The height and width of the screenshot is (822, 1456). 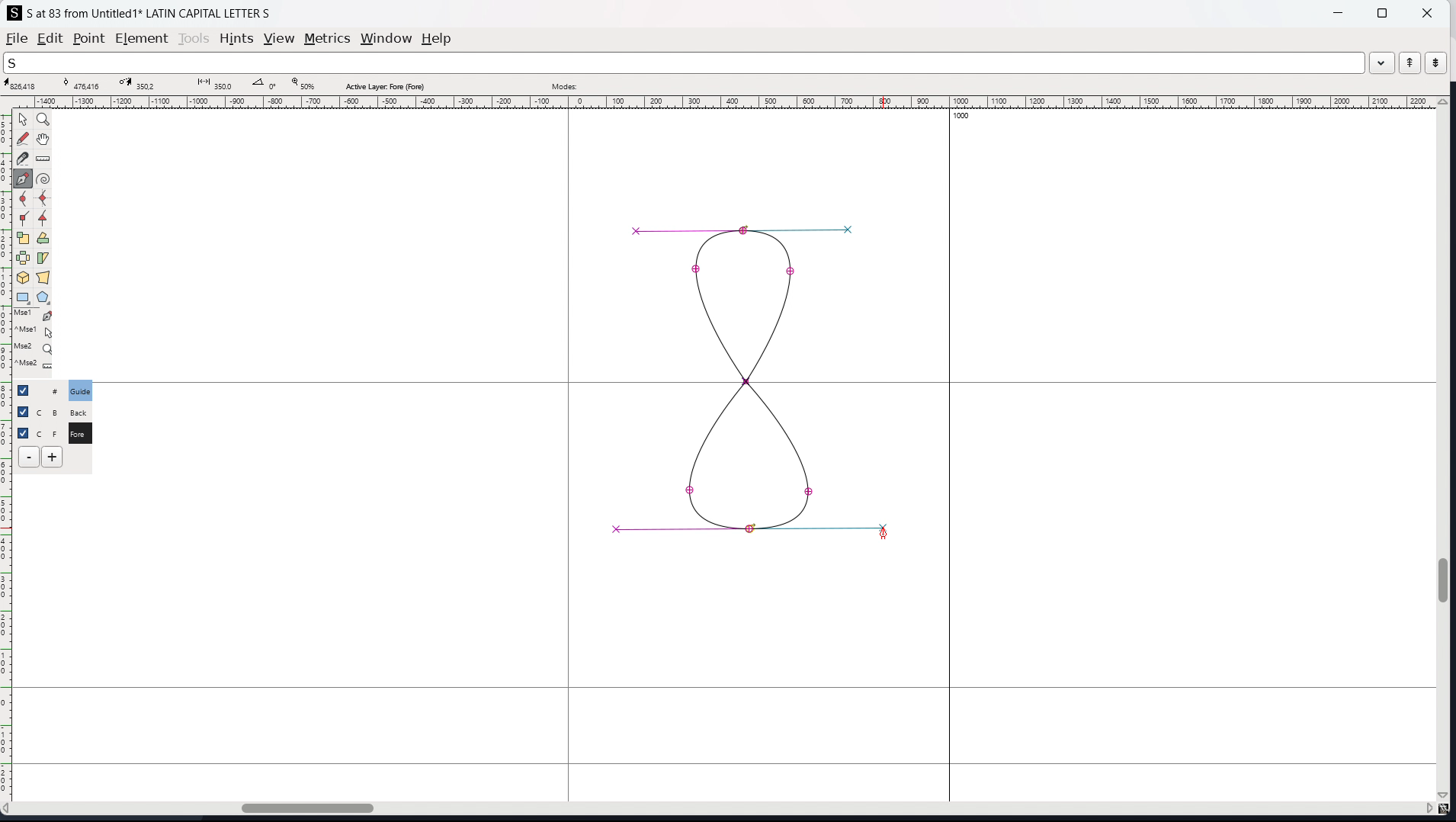 What do you see at coordinates (25, 85) in the screenshot?
I see `cursor coordinate` at bounding box center [25, 85].